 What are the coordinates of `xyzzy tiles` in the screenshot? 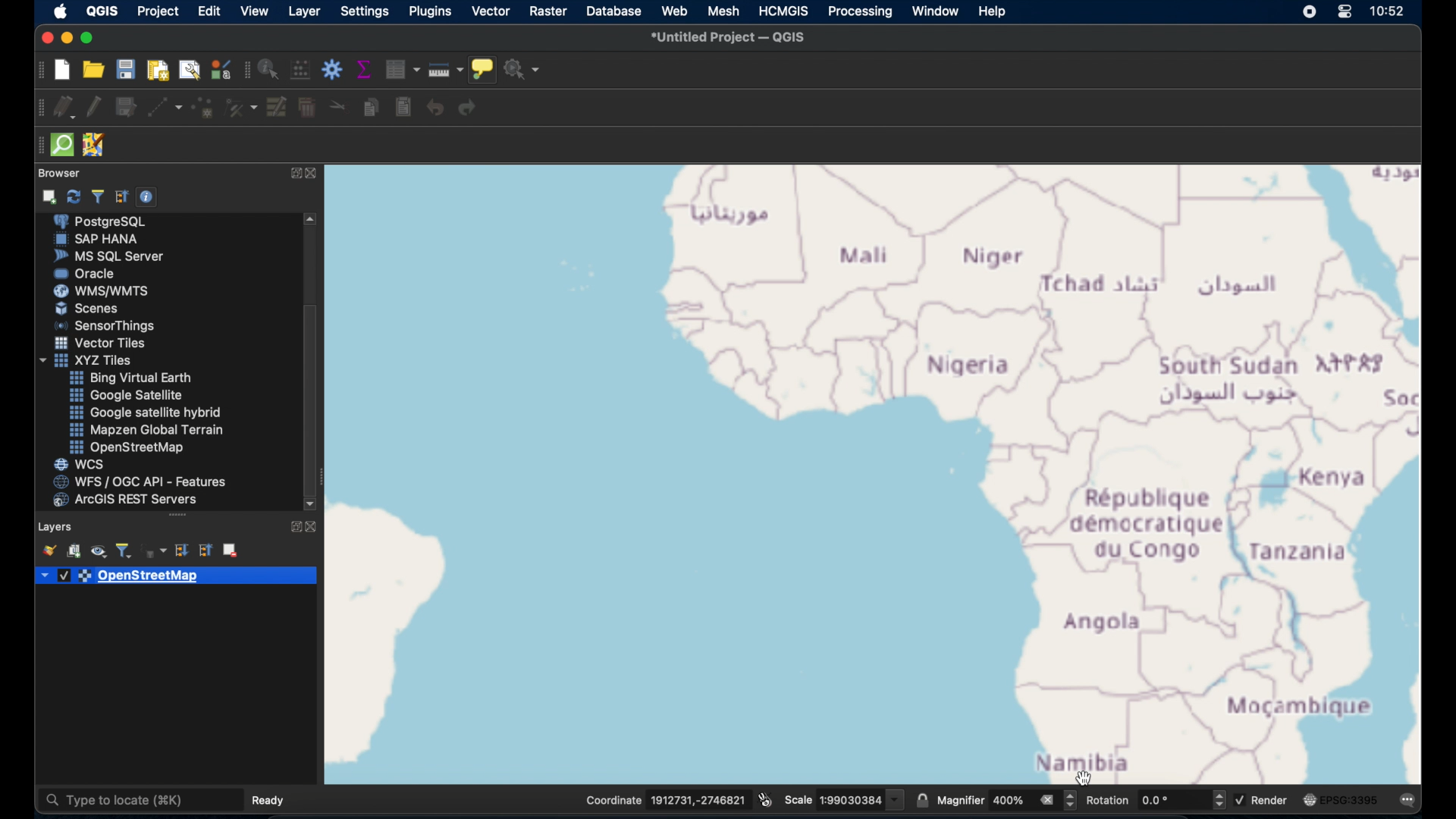 It's located at (85, 360).